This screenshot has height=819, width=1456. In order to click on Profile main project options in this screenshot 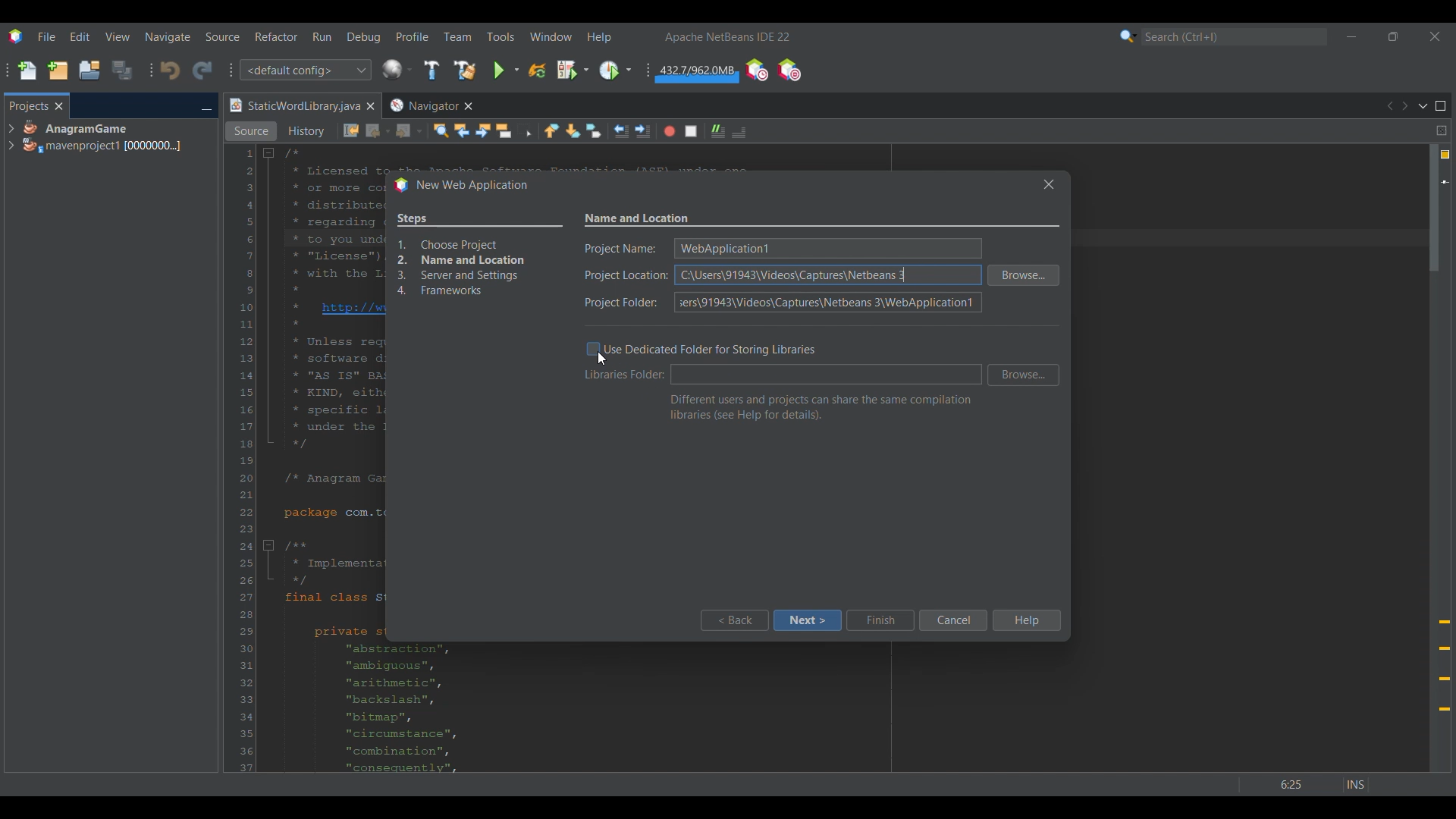, I will do `click(615, 71)`.